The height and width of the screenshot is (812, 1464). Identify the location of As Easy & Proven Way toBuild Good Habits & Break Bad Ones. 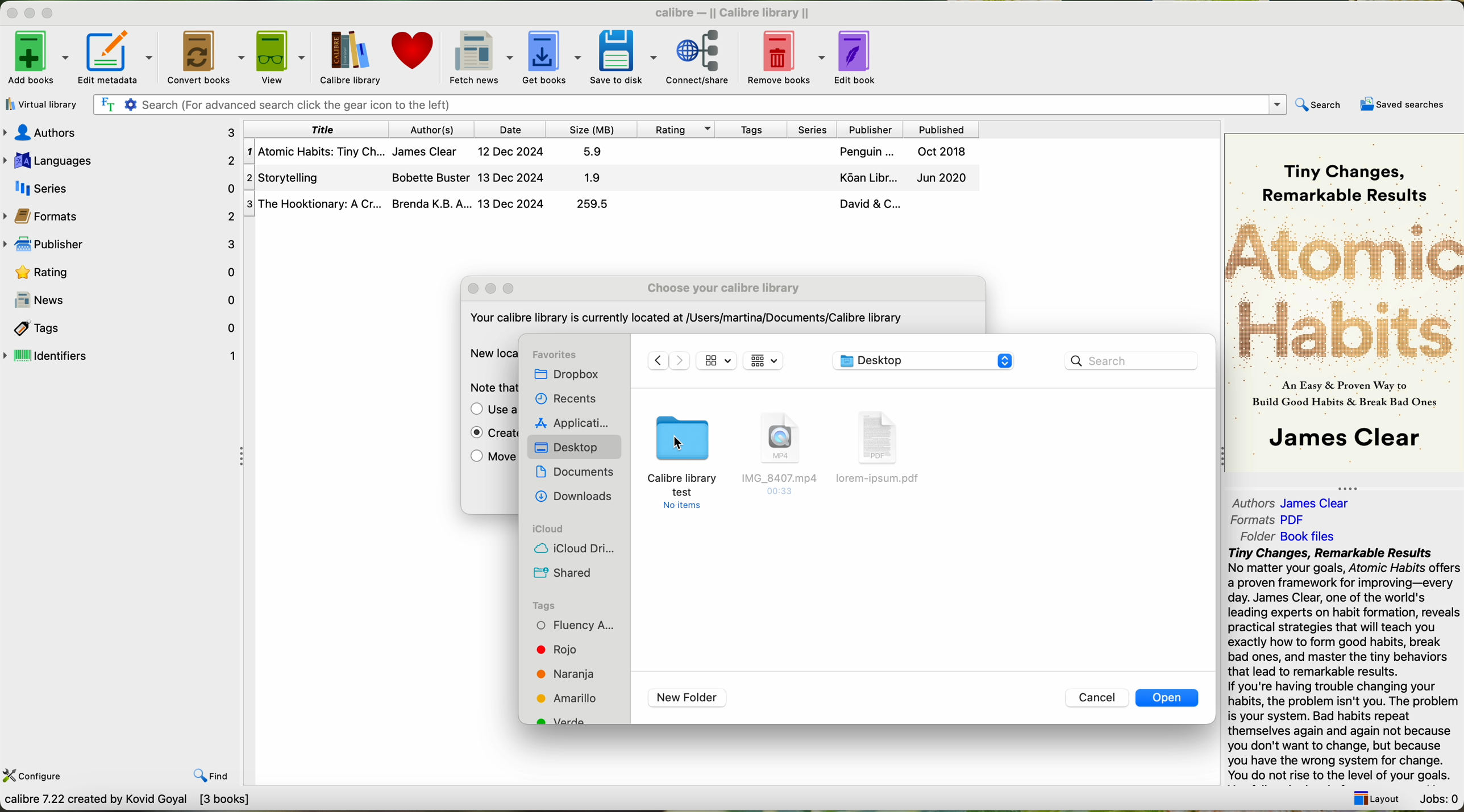
(1338, 395).